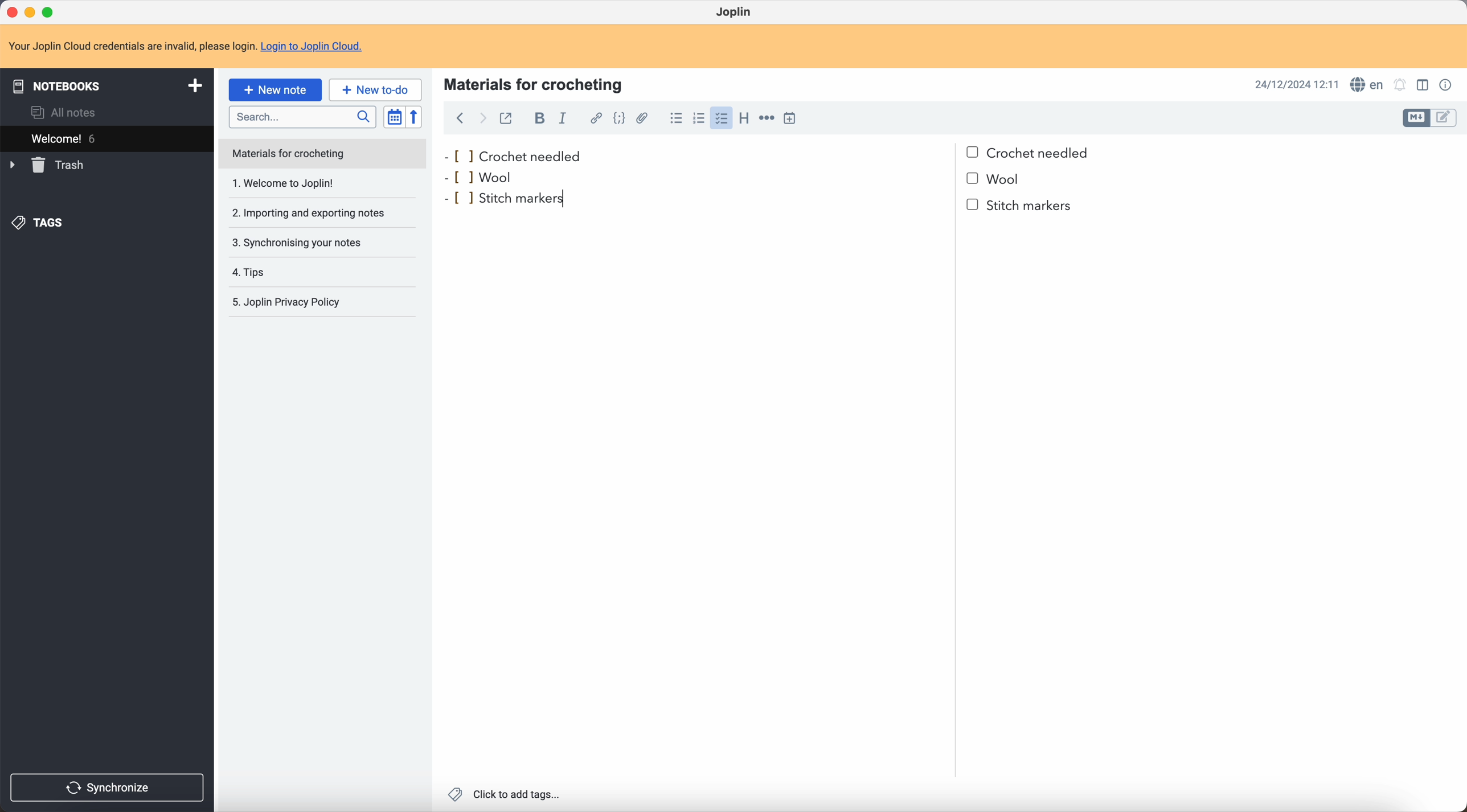 The width and height of the screenshot is (1467, 812). What do you see at coordinates (743, 118) in the screenshot?
I see `heading` at bounding box center [743, 118].